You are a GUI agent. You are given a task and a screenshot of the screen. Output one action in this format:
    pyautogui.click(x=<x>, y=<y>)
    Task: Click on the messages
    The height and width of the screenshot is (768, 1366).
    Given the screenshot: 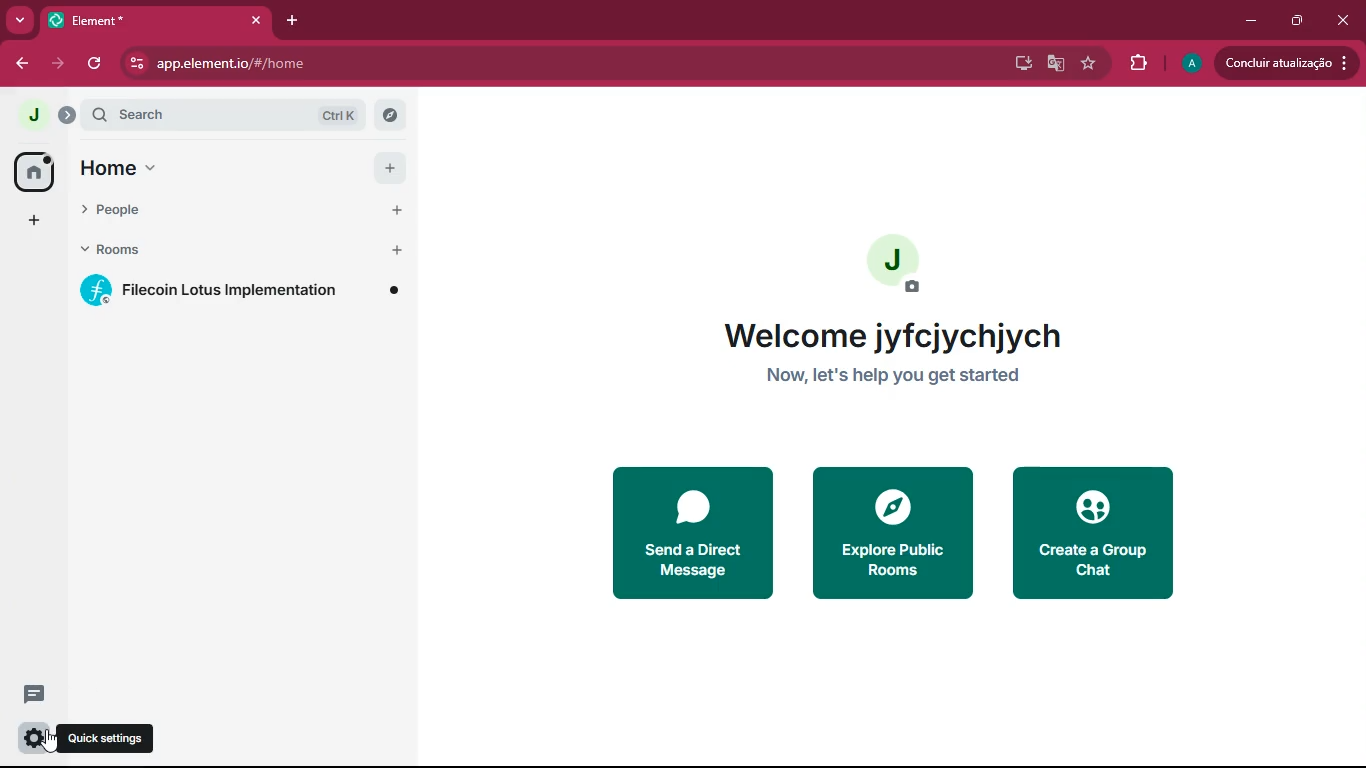 What is the action you would take?
    pyautogui.click(x=38, y=694)
    